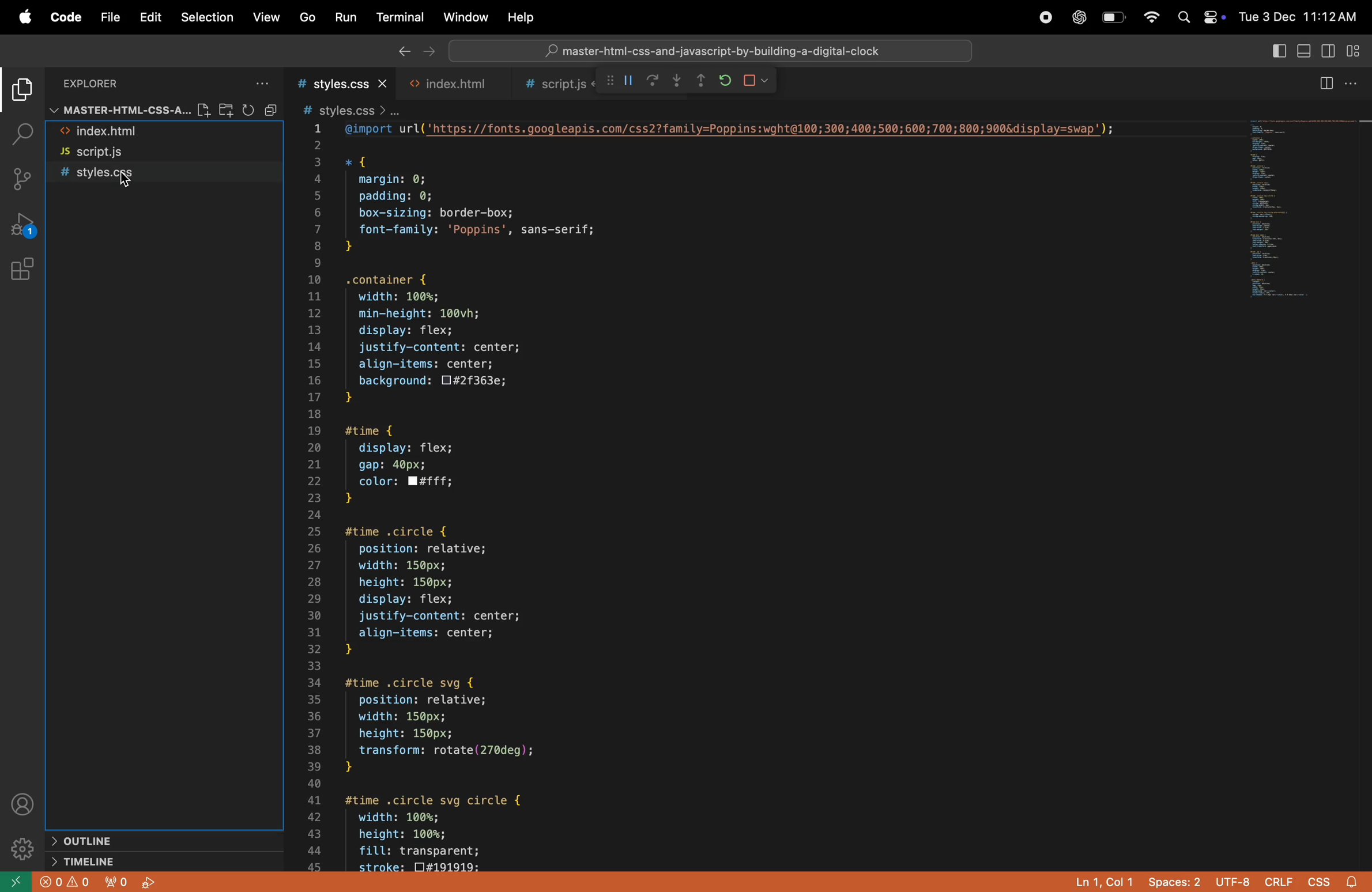 This screenshot has width=1372, height=892. I want to click on date and time, so click(1301, 17).